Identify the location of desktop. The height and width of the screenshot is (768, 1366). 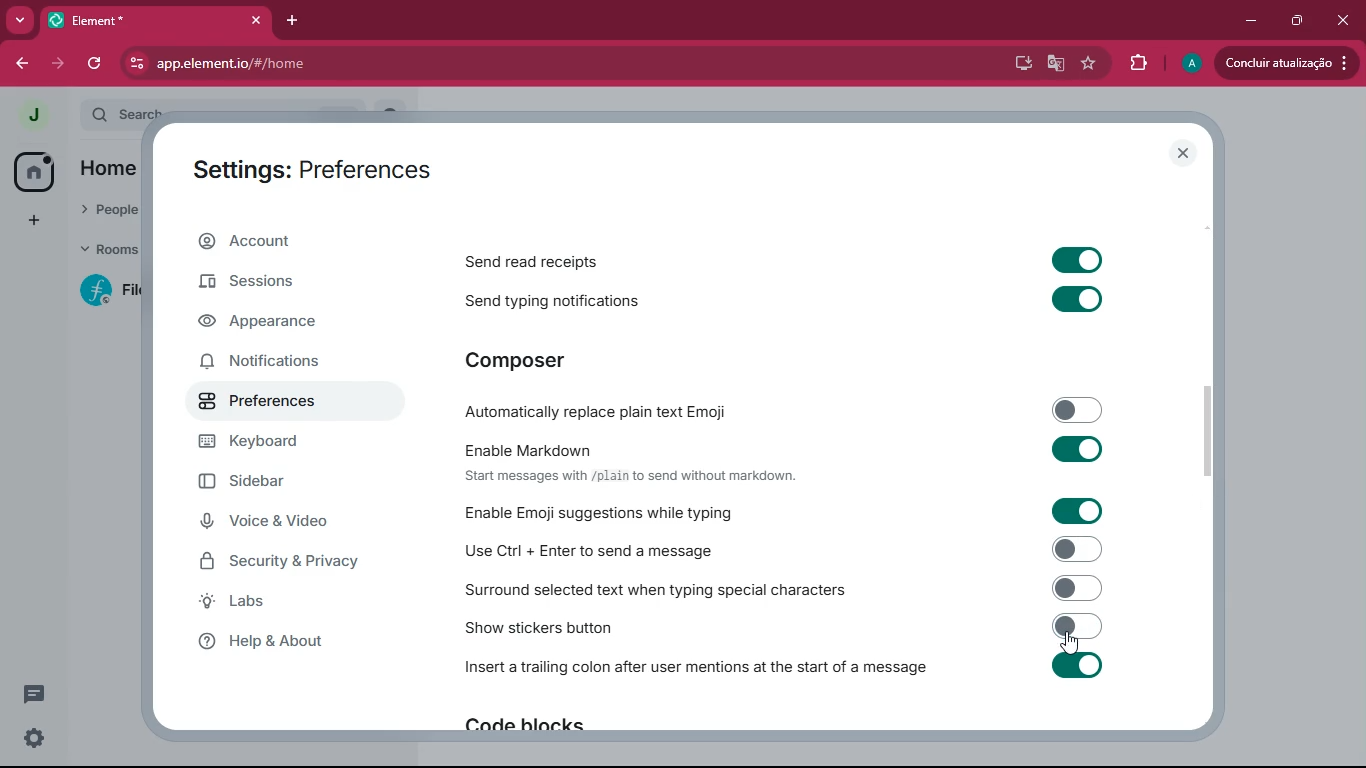
(1018, 65).